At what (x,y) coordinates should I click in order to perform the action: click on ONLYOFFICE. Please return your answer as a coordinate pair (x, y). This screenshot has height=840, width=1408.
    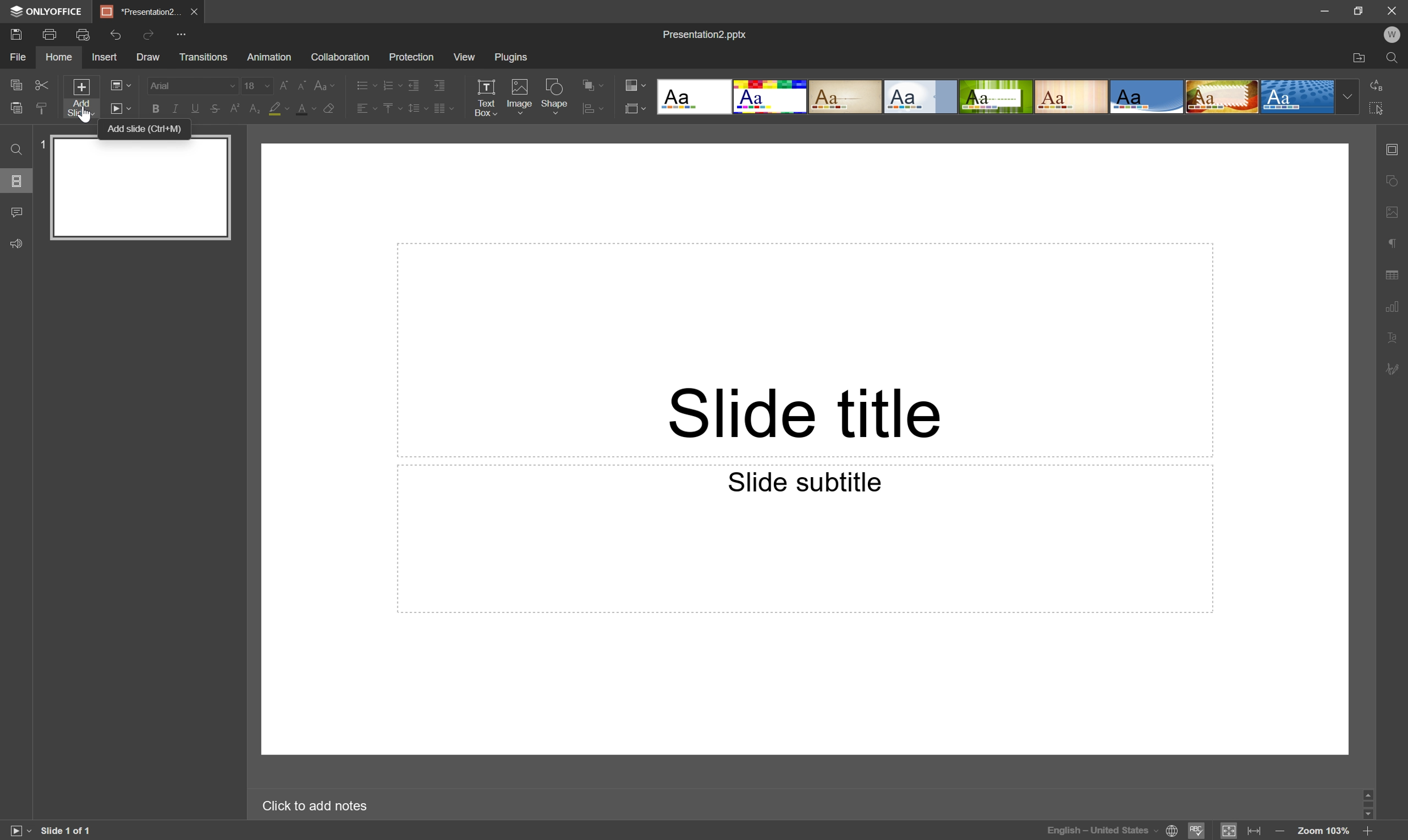
    Looking at the image, I should click on (49, 11).